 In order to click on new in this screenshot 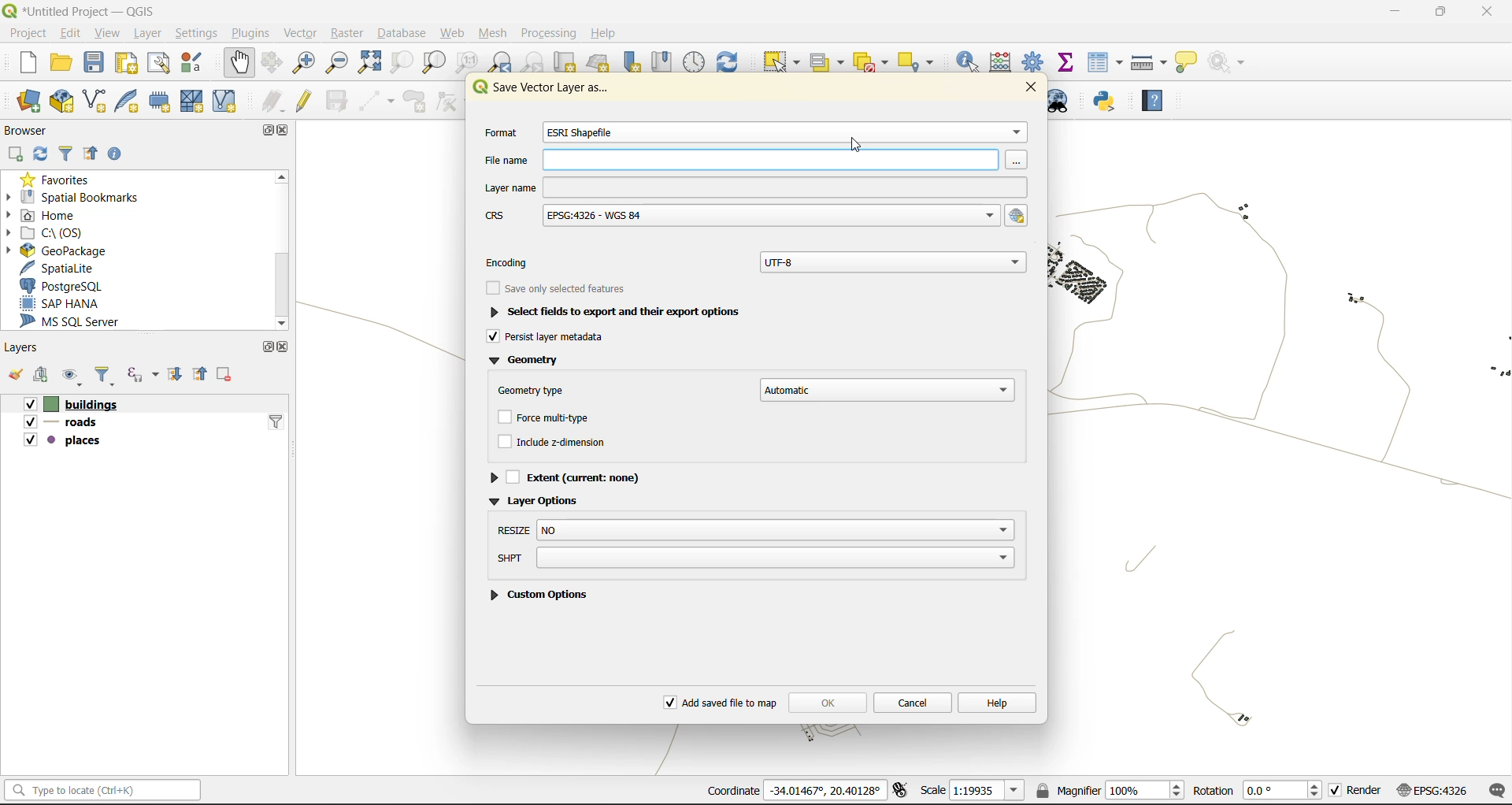, I will do `click(28, 63)`.